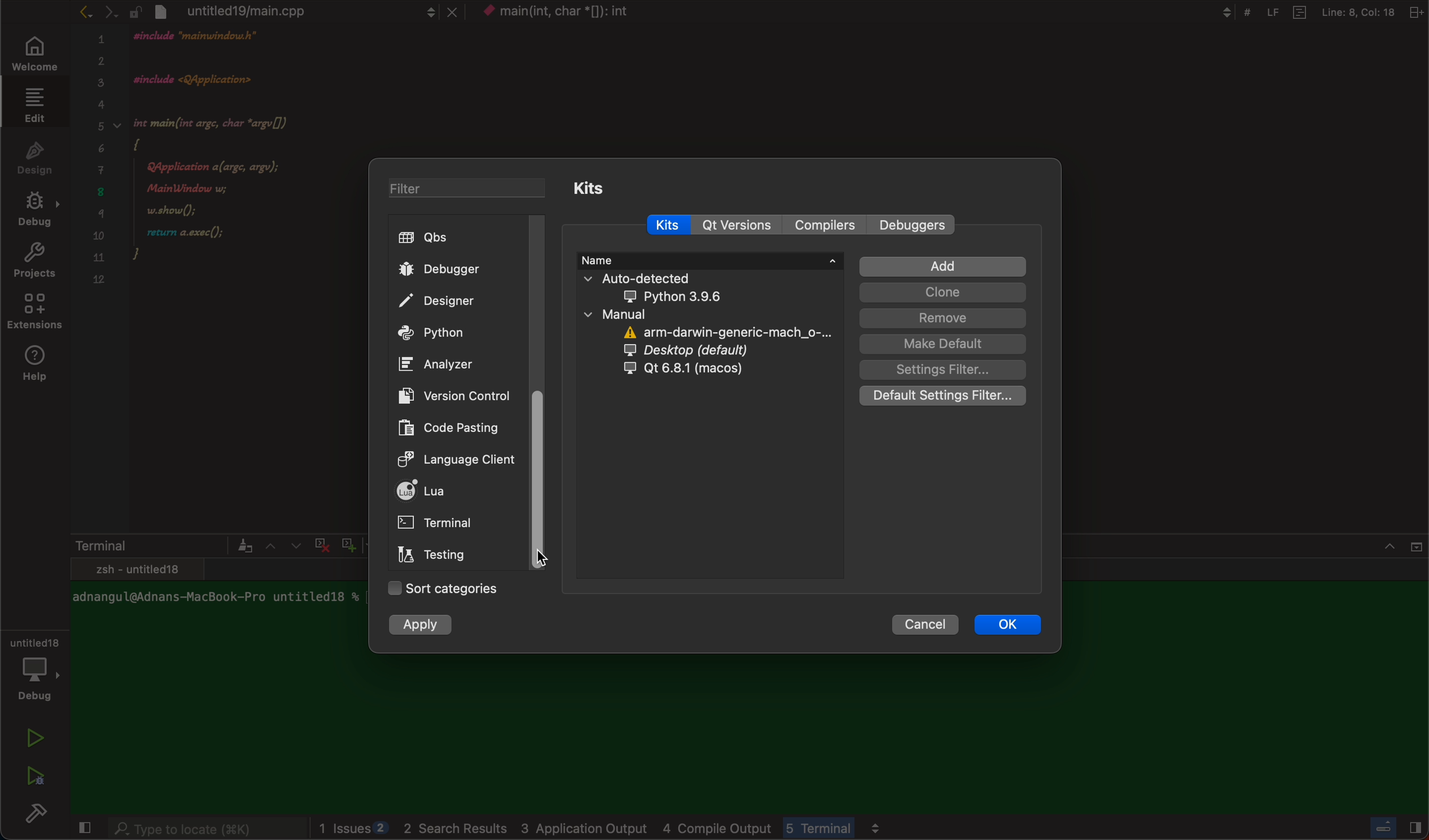 This screenshot has height=840, width=1429. I want to click on extensions, so click(36, 315).